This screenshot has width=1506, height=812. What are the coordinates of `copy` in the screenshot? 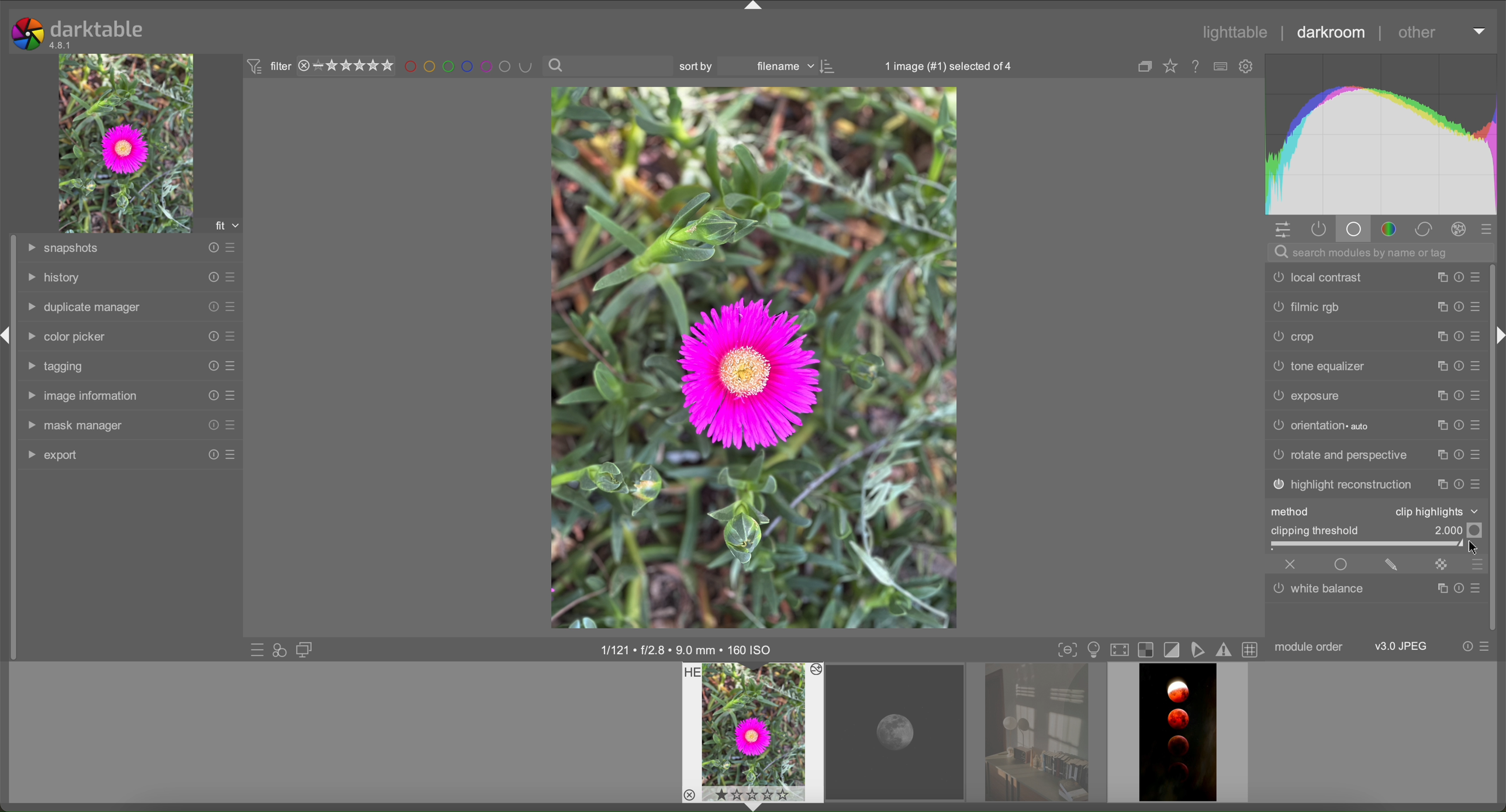 It's located at (1441, 485).